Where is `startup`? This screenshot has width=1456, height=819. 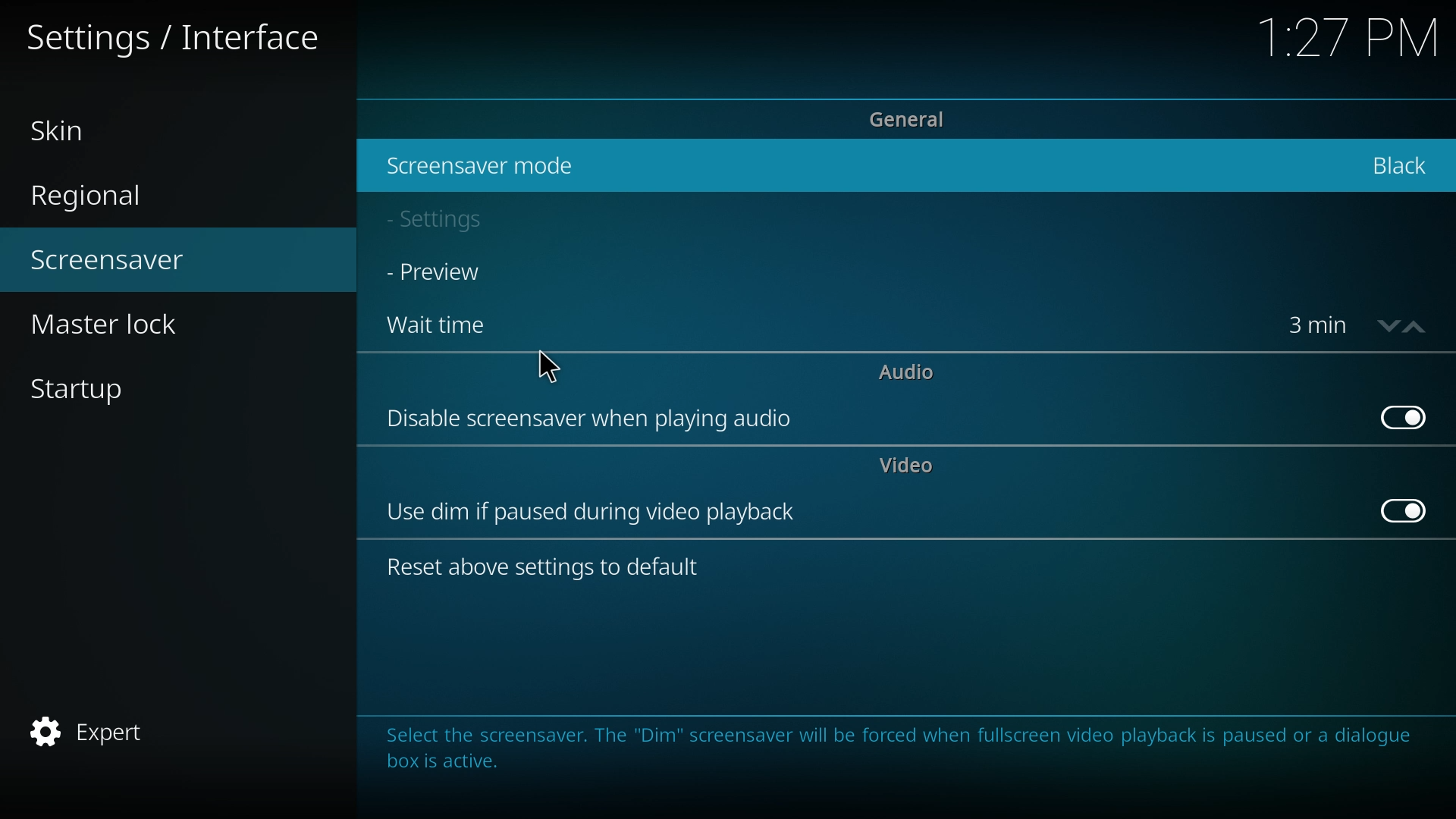
startup is located at coordinates (170, 388).